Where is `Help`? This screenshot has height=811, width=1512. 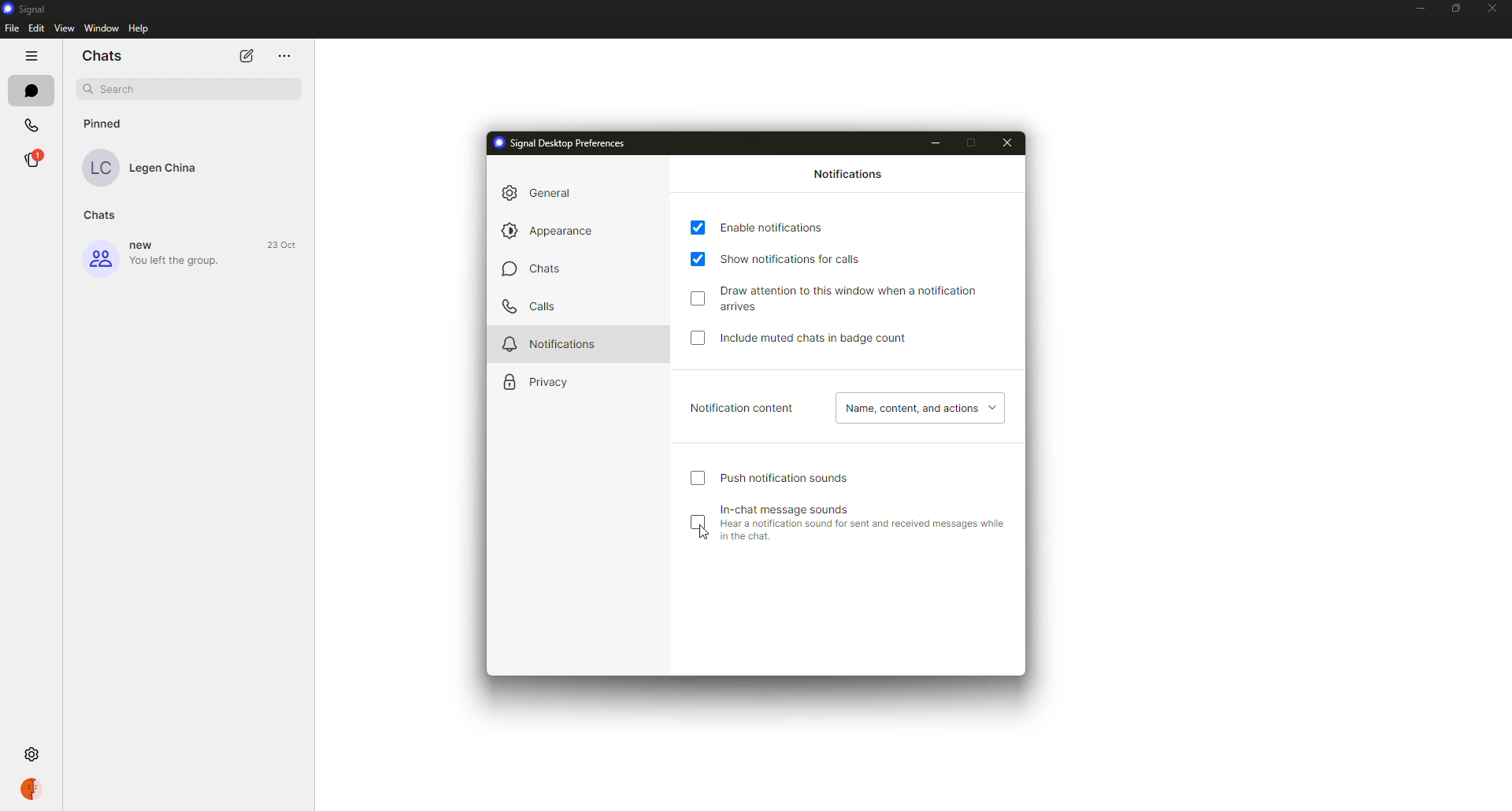 Help is located at coordinates (139, 28).